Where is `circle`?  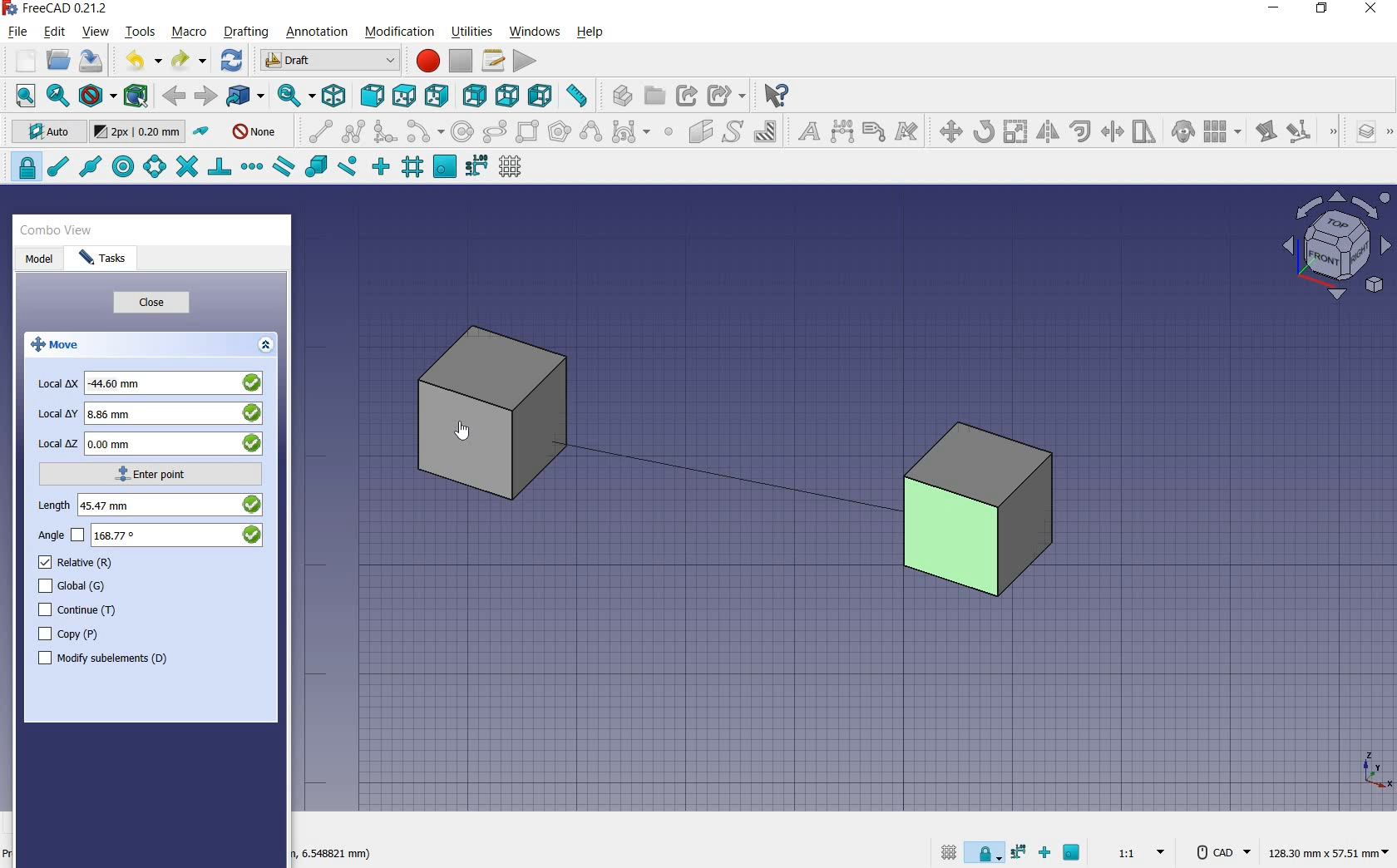 circle is located at coordinates (464, 131).